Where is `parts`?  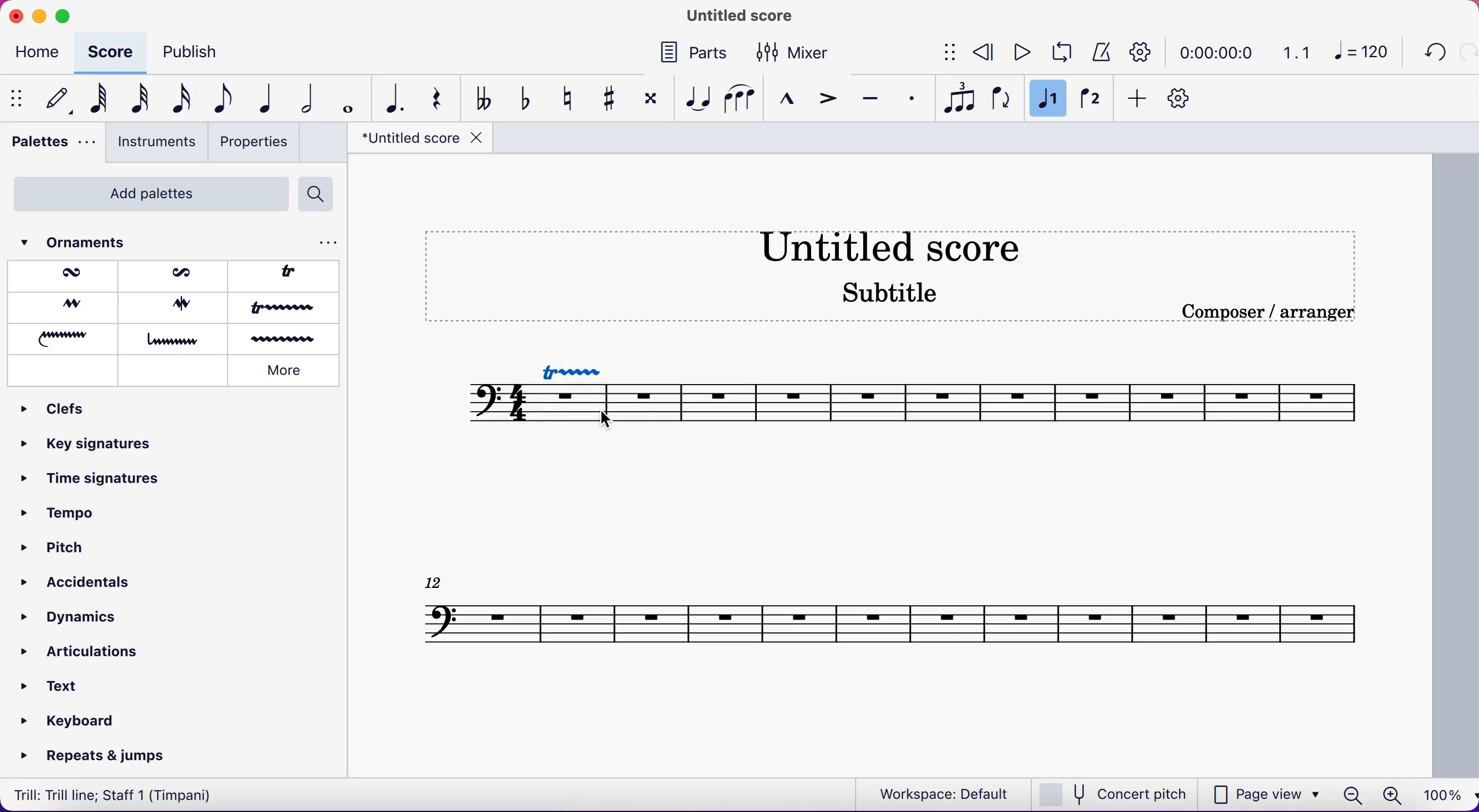
parts is located at coordinates (693, 55).